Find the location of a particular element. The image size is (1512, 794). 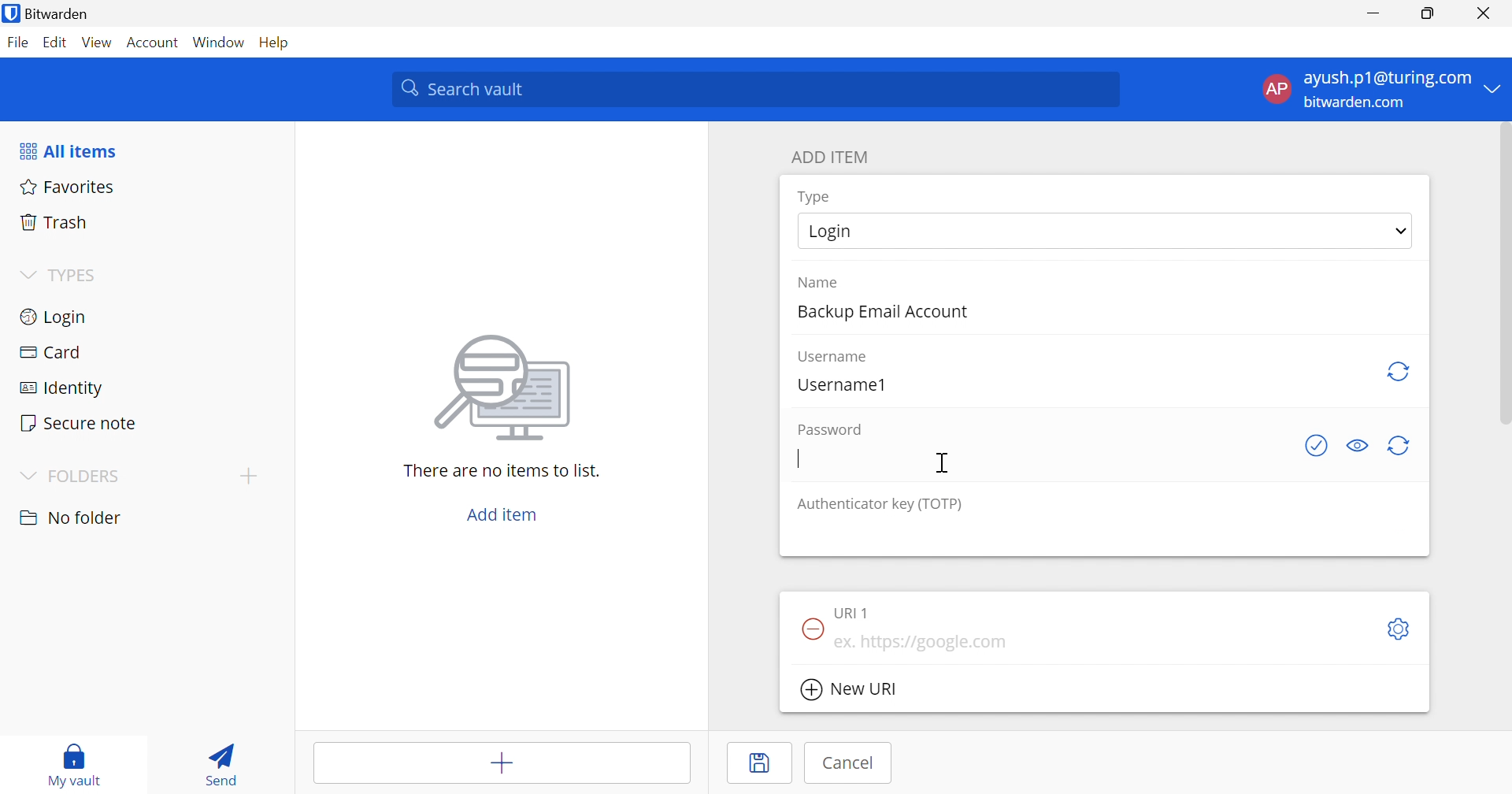

Remove is located at coordinates (811, 627).